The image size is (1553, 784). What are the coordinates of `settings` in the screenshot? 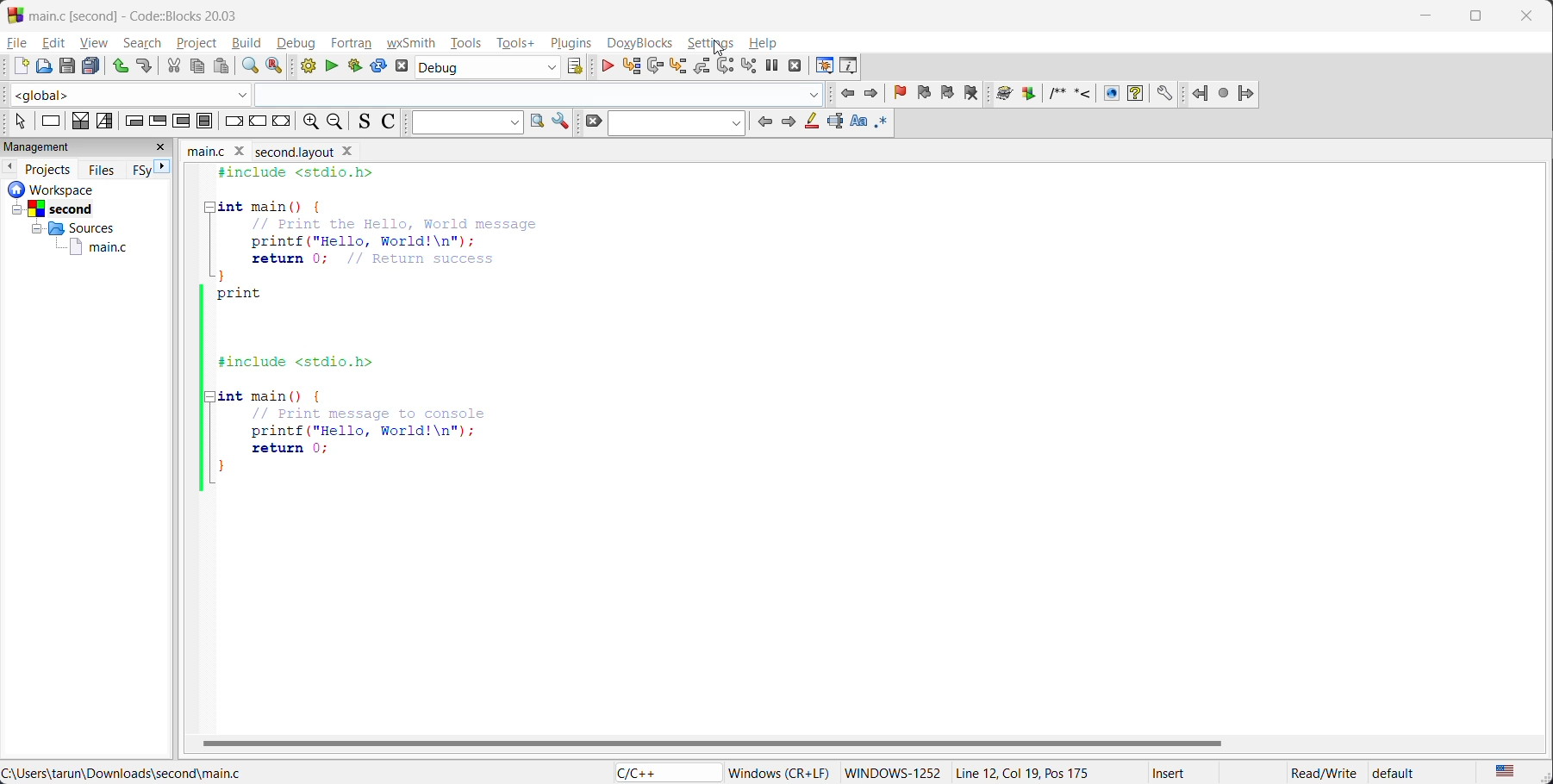 It's located at (711, 44).